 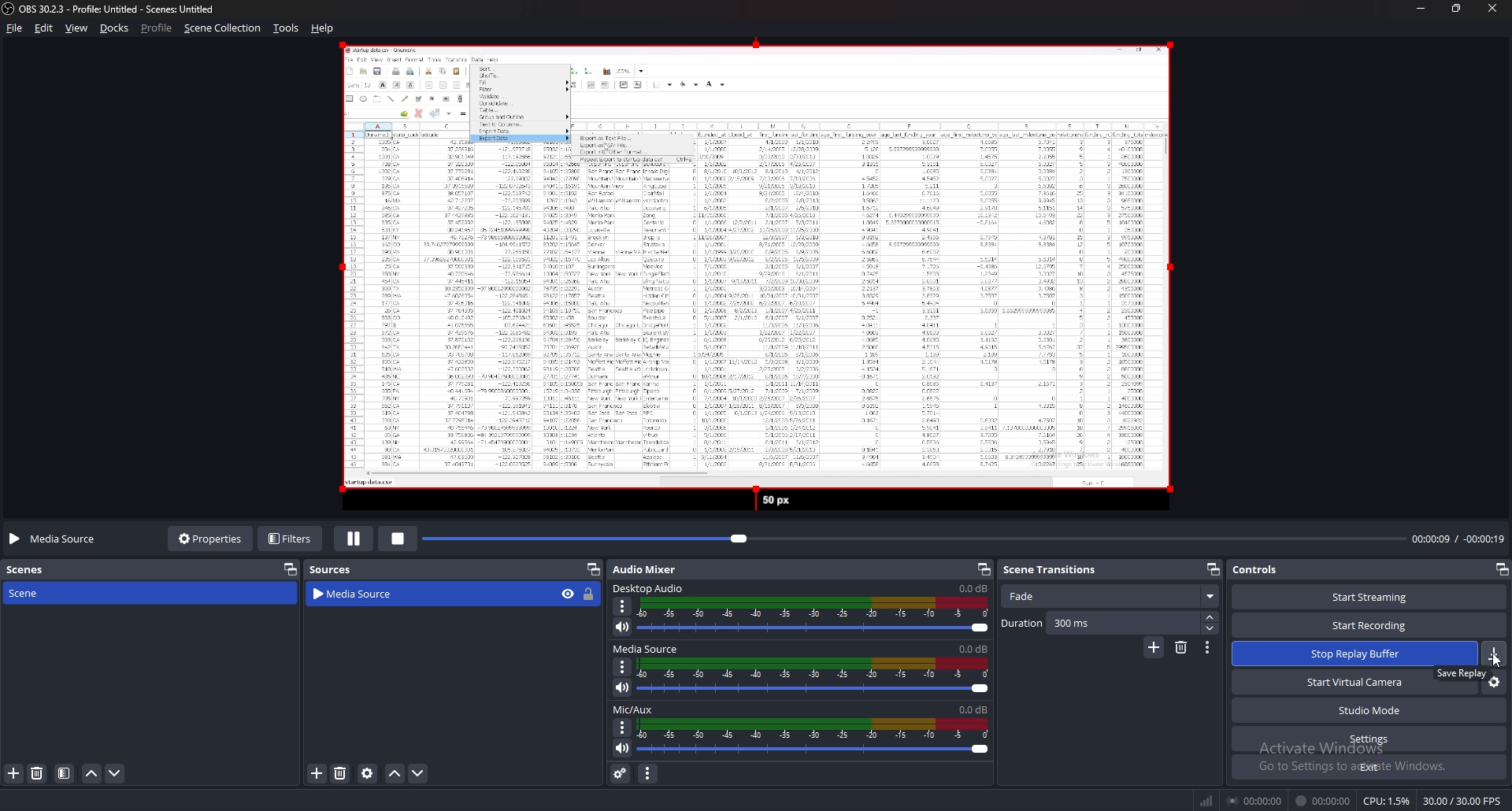 What do you see at coordinates (623, 628) in the screenshot?
I see `mute` at bounding box center [623, 628].